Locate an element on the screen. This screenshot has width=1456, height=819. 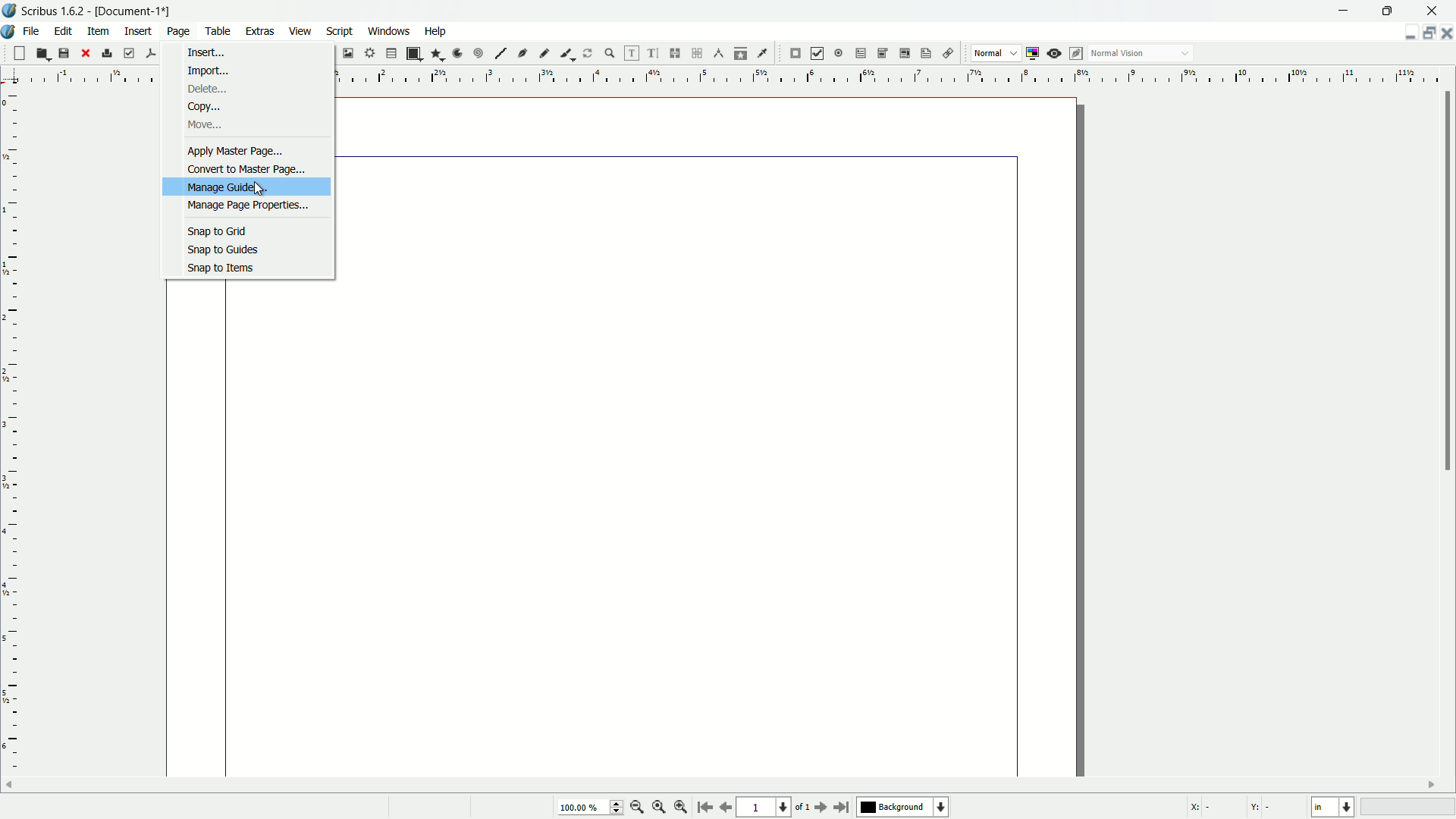
unlink text frames is located at coordinates (699, 53).